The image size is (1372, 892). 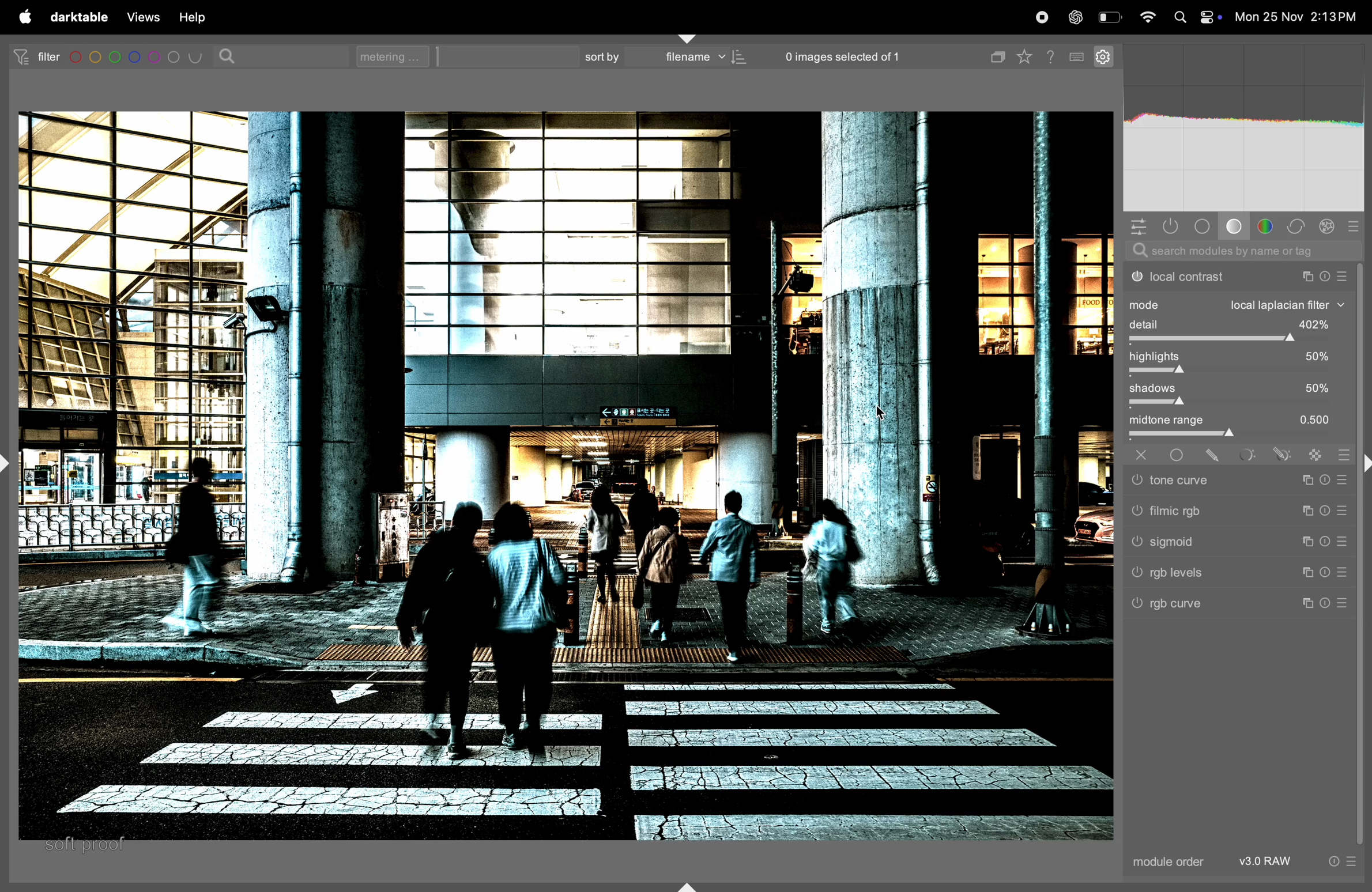 I want to click on tone curve, so click(x=1229, y=481).